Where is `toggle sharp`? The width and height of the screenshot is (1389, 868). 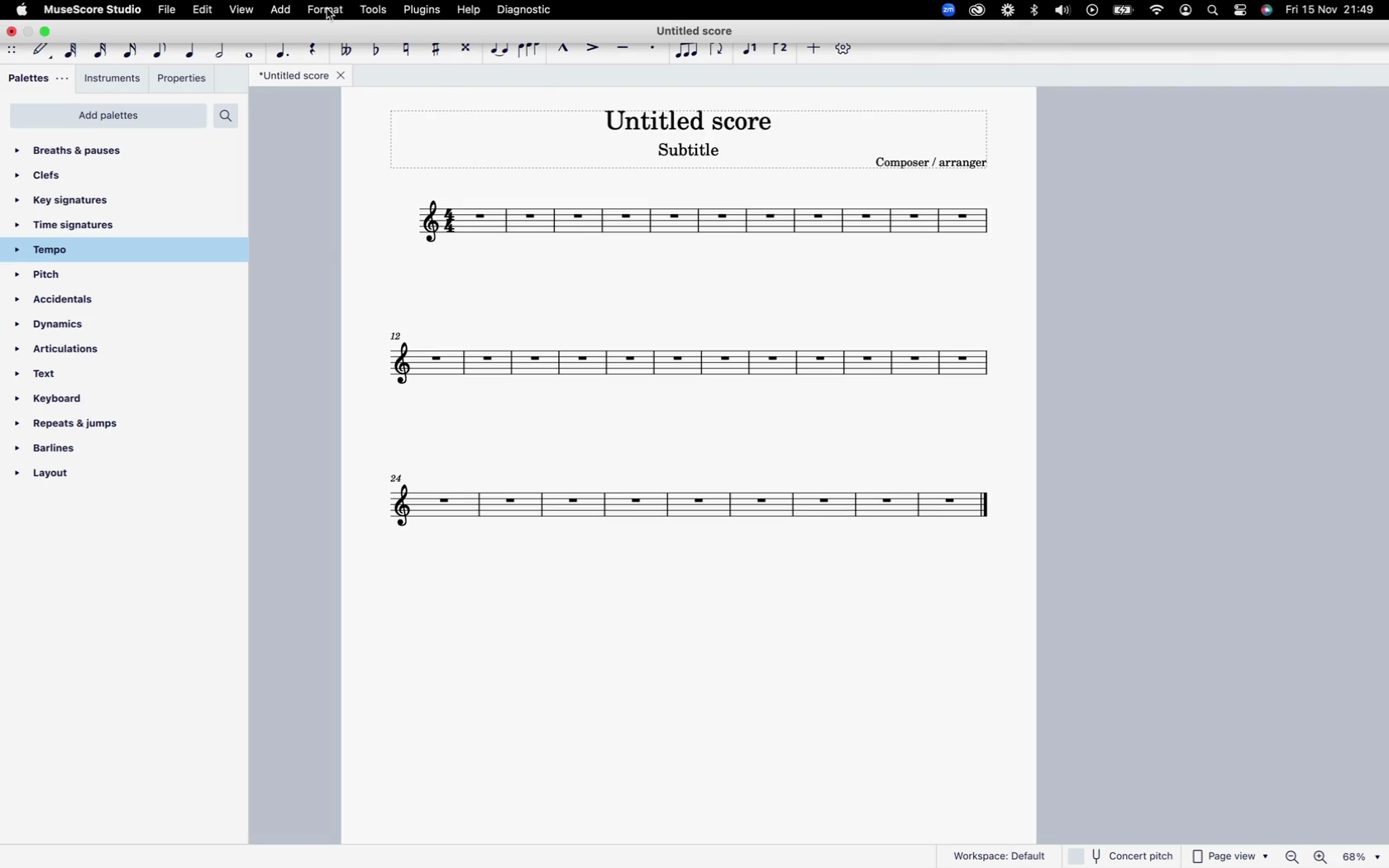 toggle sharp is located at coordinates (438, 46).